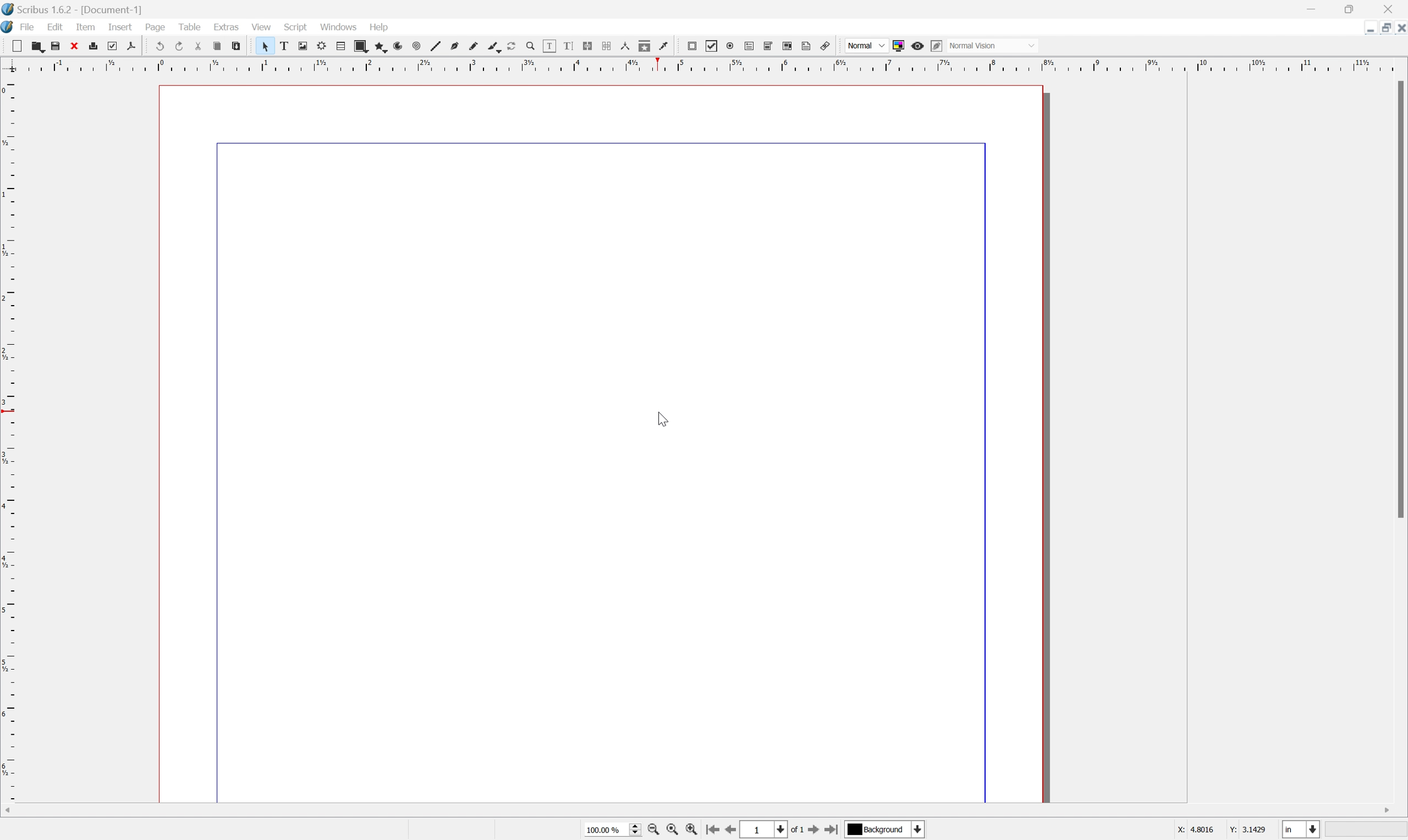 This screenshot has height=840, width=1408. What do you see at coordinates (570, 46) in the screenshot?
I see `edit text with story editor` at bounding box center [570, 46].